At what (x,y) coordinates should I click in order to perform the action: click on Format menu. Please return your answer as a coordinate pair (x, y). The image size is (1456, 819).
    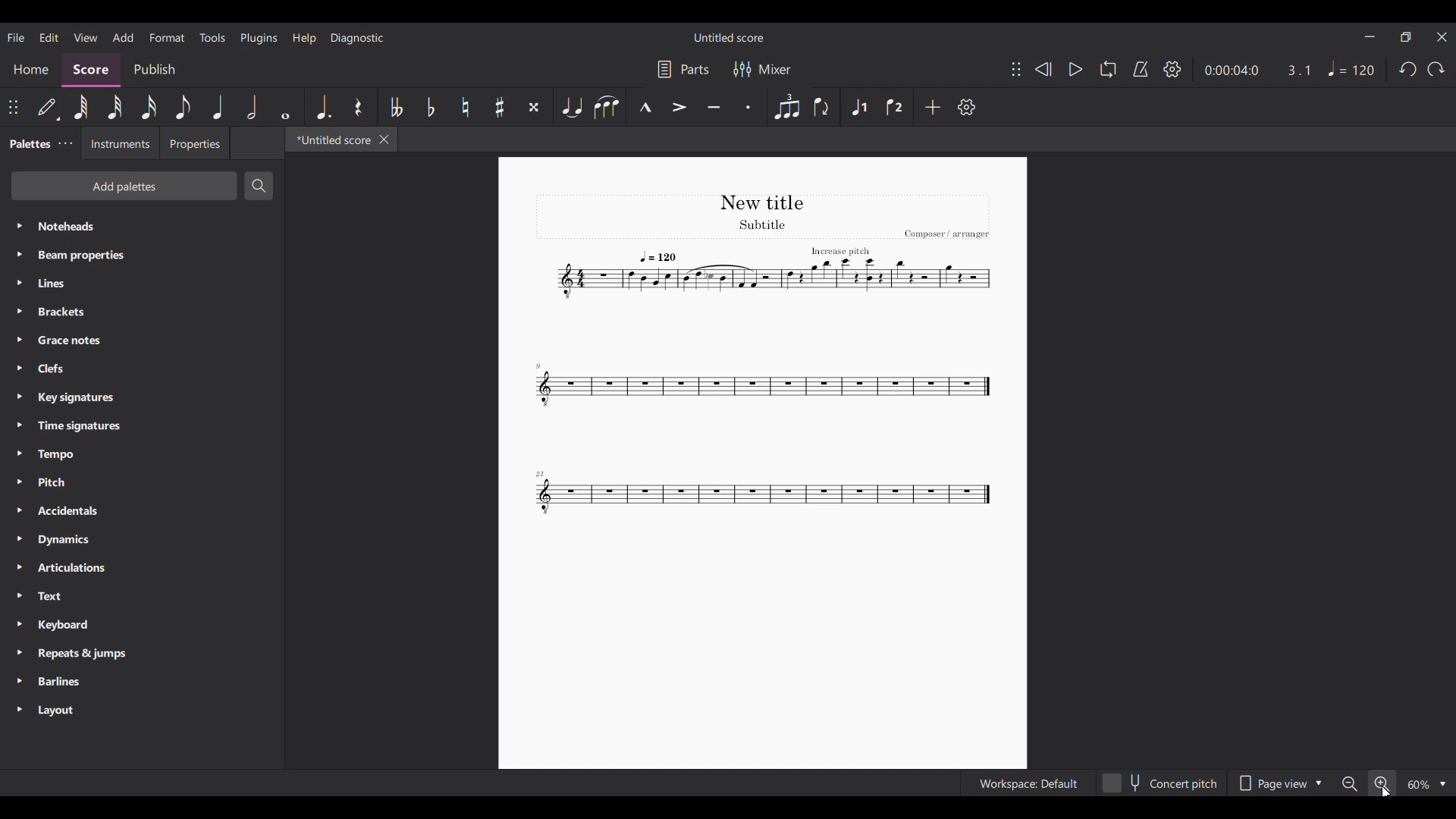
    Looking at the image, I should click on (168, 37).